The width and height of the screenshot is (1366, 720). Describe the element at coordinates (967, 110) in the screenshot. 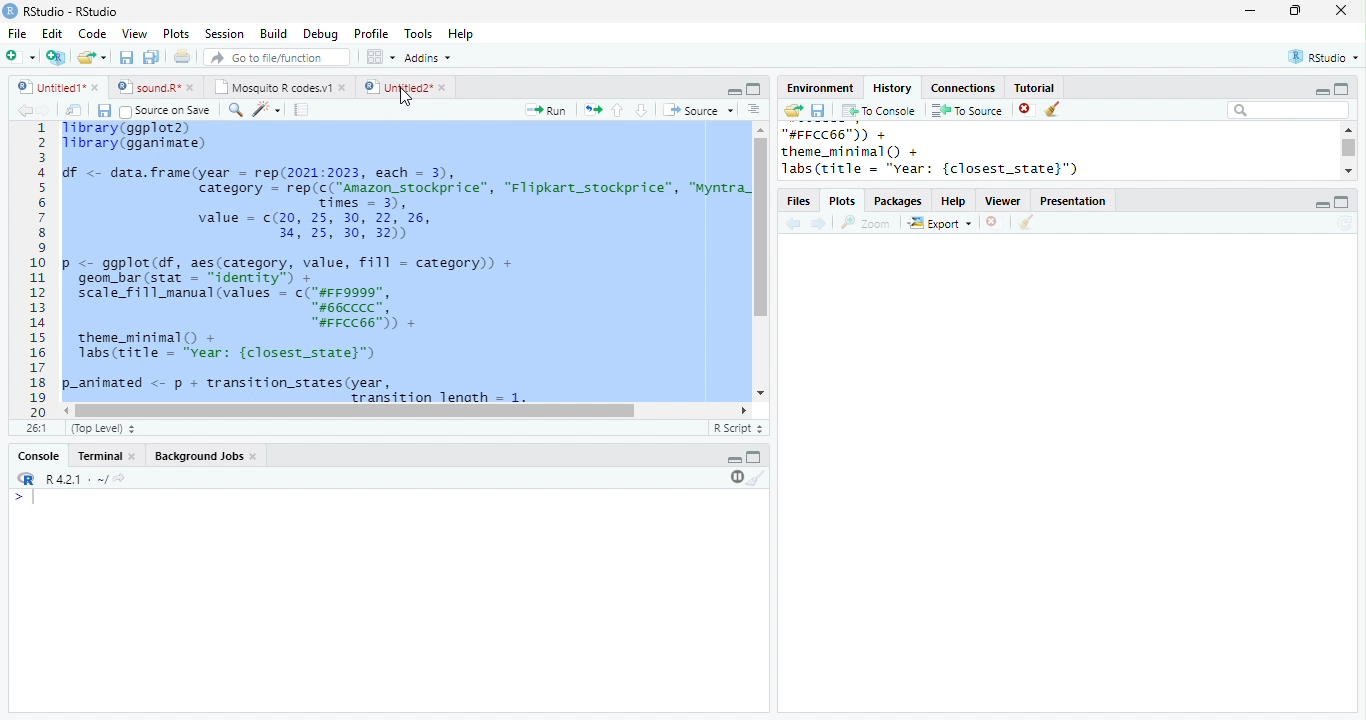

I see `To Source` at that location.